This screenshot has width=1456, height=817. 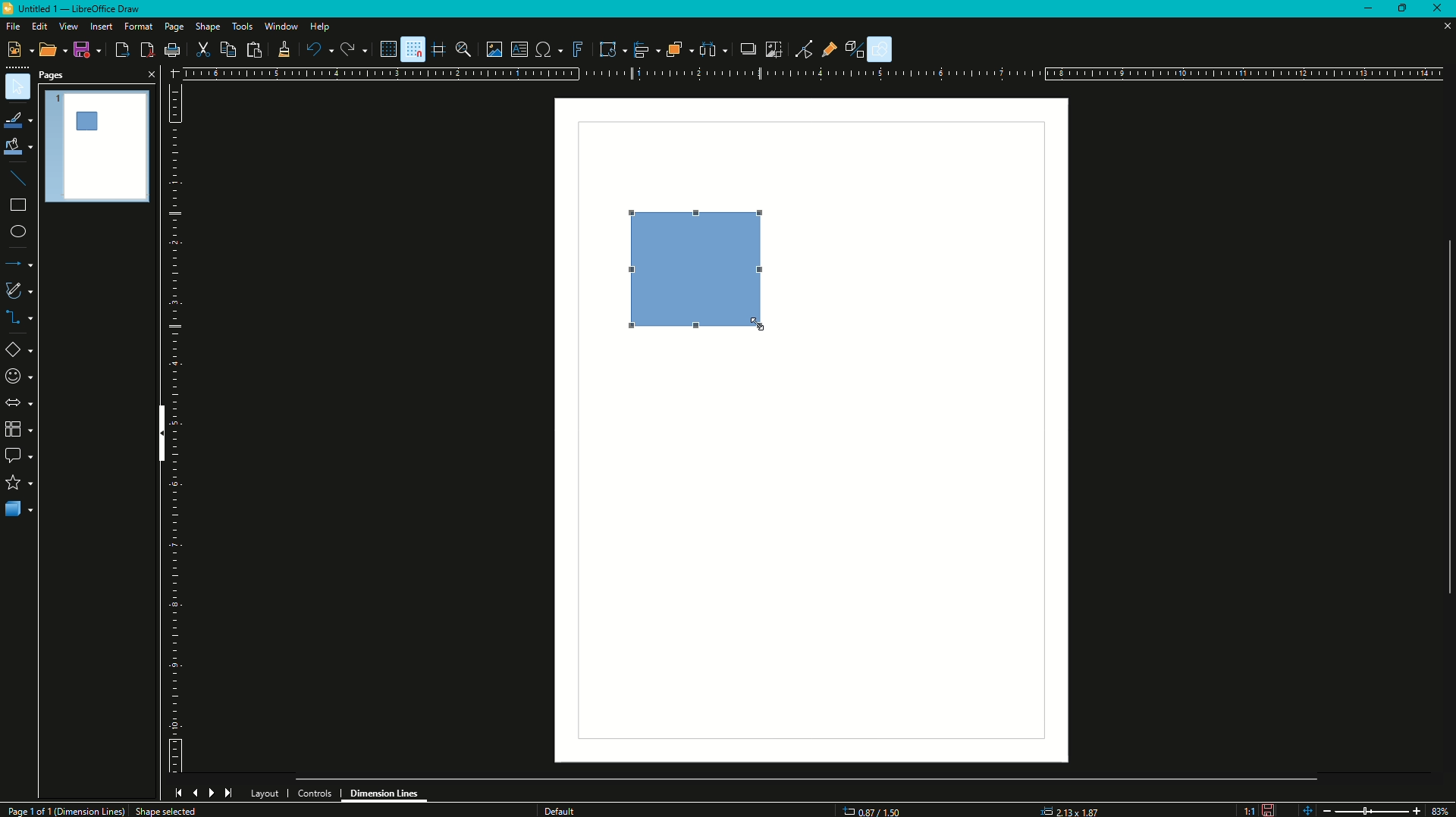 What do you see at coordinates (699, 274) in the screenshot?
I see `Resized Square` at bounding box center [699, 274].